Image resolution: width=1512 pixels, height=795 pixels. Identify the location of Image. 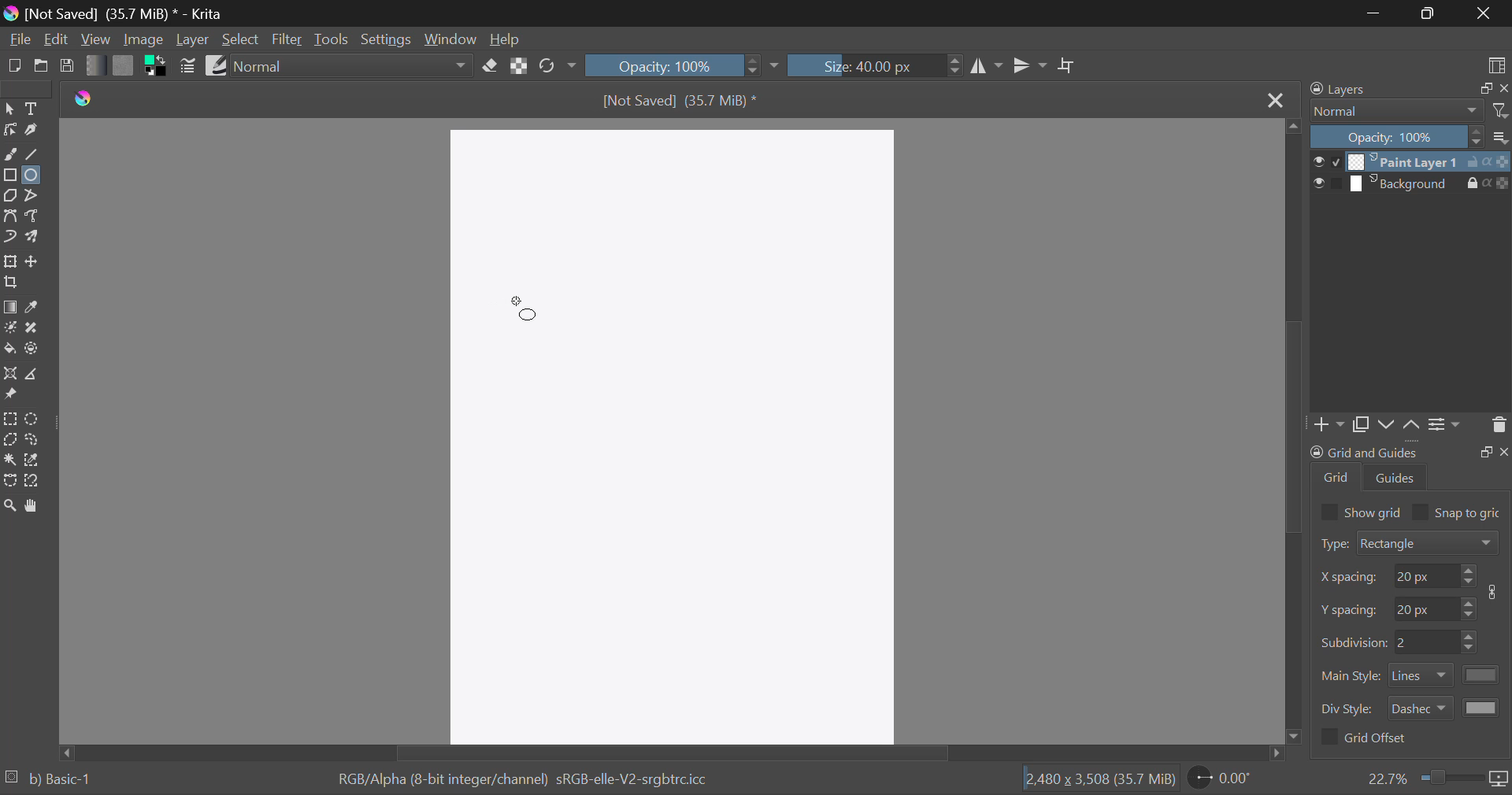
(141, 40).